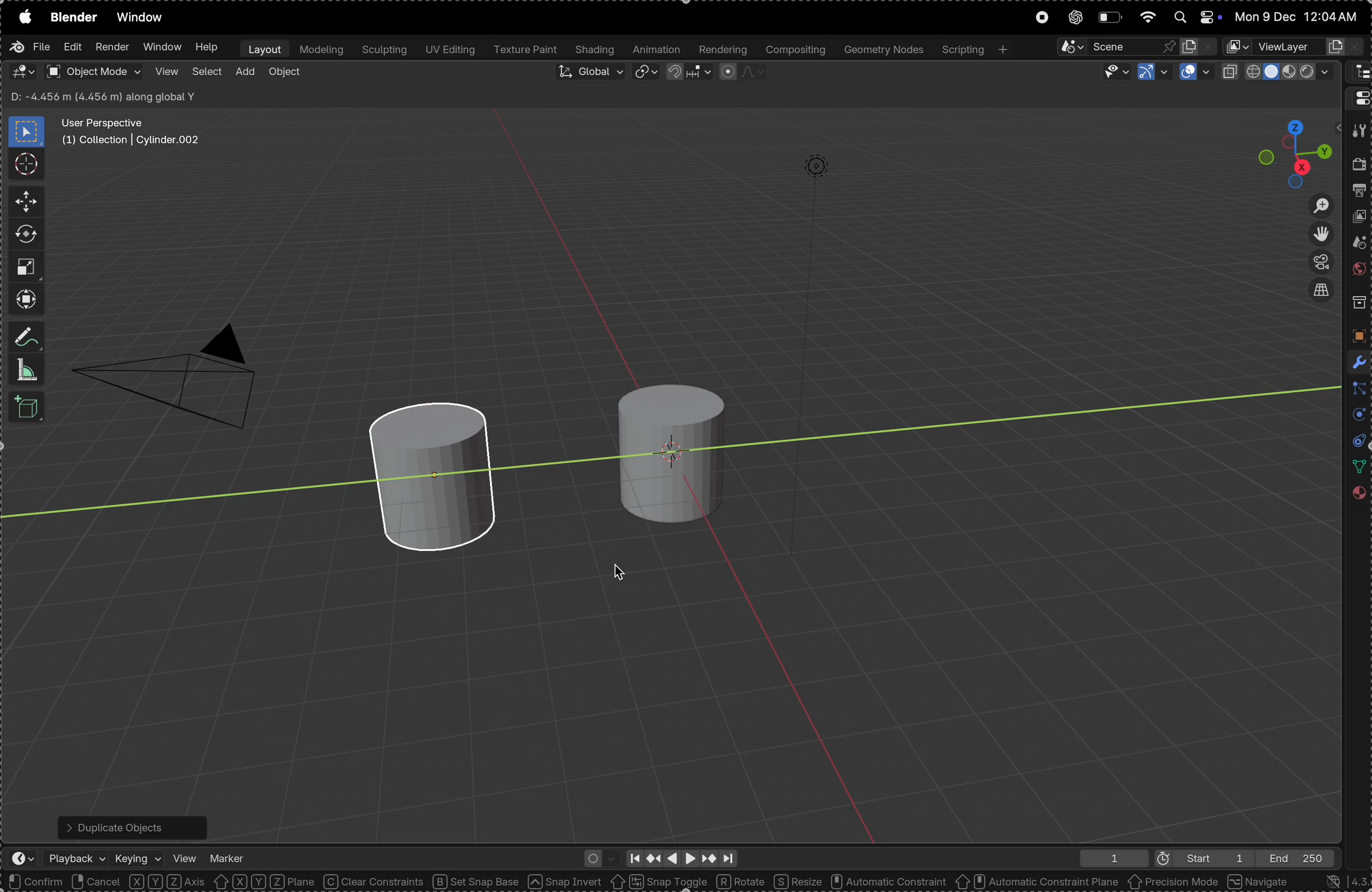 The height and width of the screenshot is (892, 1372). I want to click on select, so click(206, 74).